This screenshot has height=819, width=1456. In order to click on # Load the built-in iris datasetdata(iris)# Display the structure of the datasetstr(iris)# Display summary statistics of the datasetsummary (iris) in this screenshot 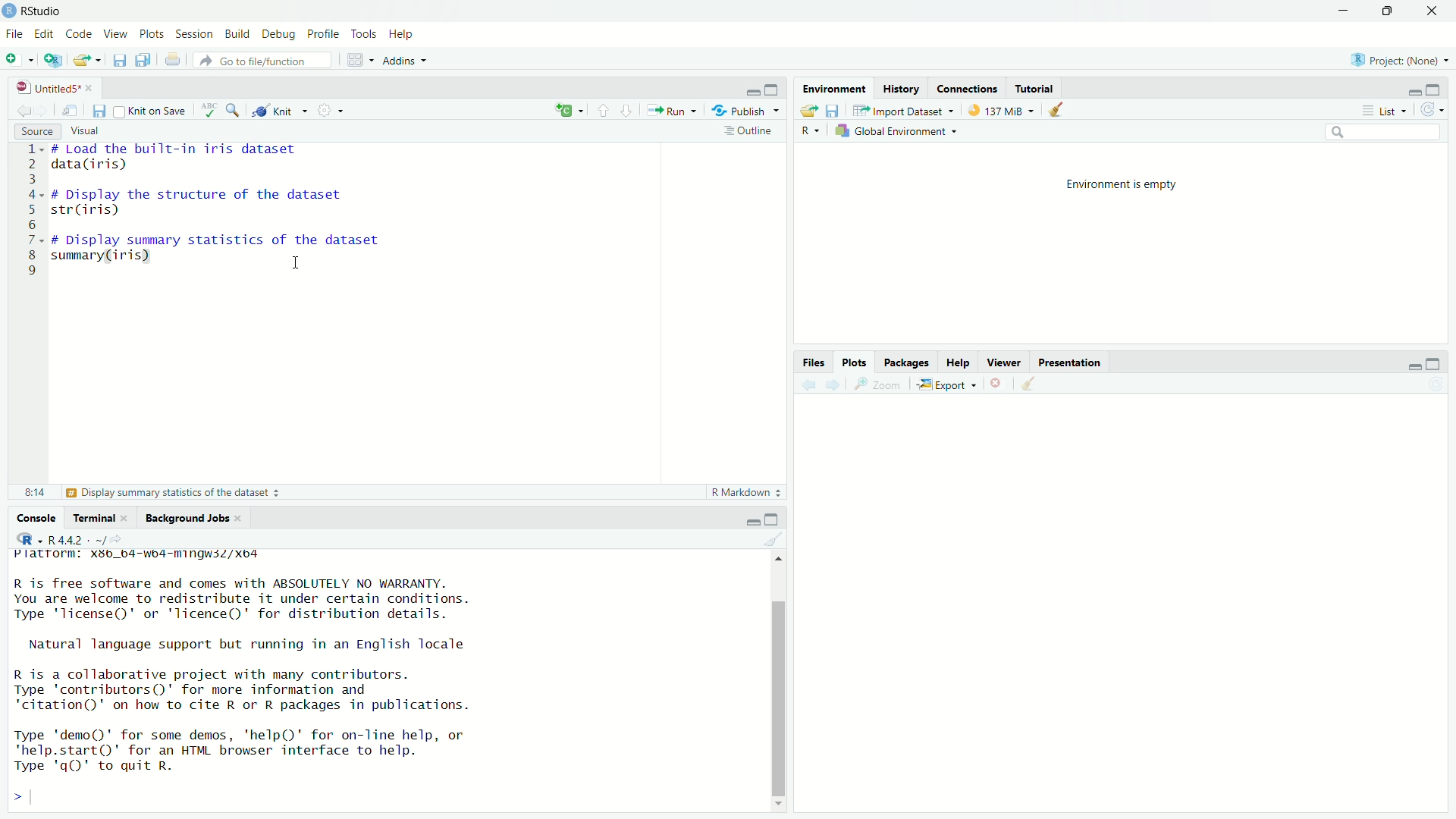, I will do `click(226, 215)`.